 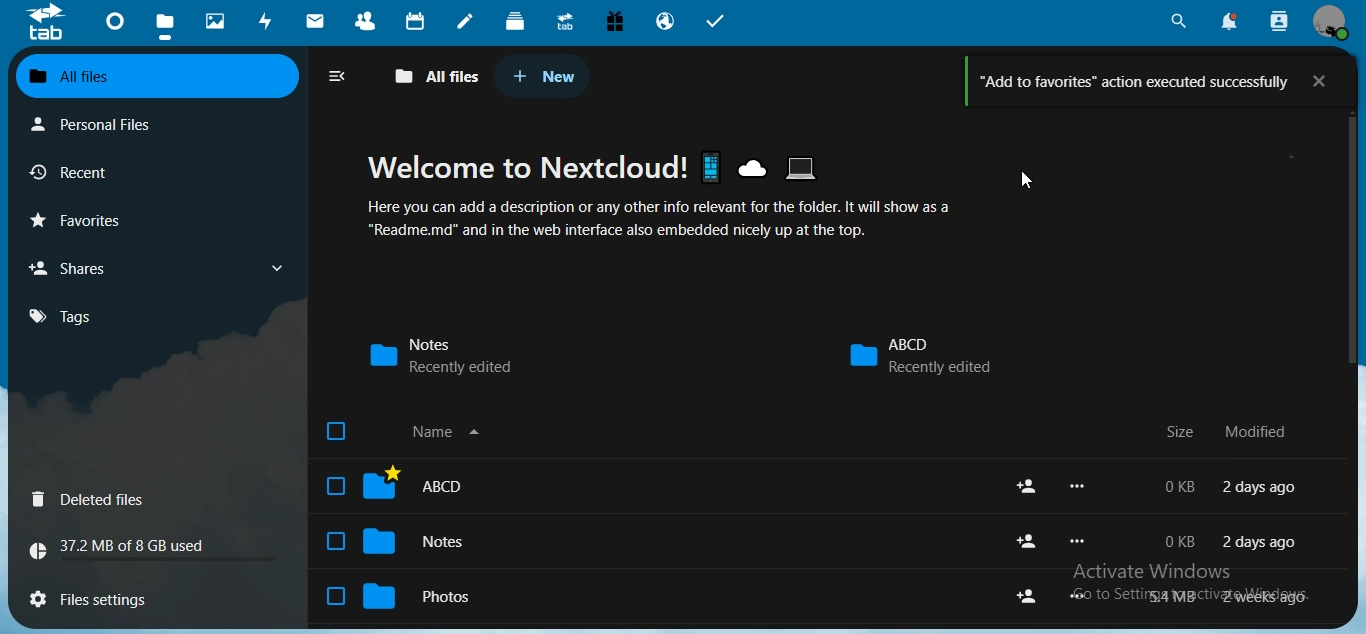 What do you see at coordinates (74, 268) in the screenshot?
I see `shares` at bounding box center [74, 268].